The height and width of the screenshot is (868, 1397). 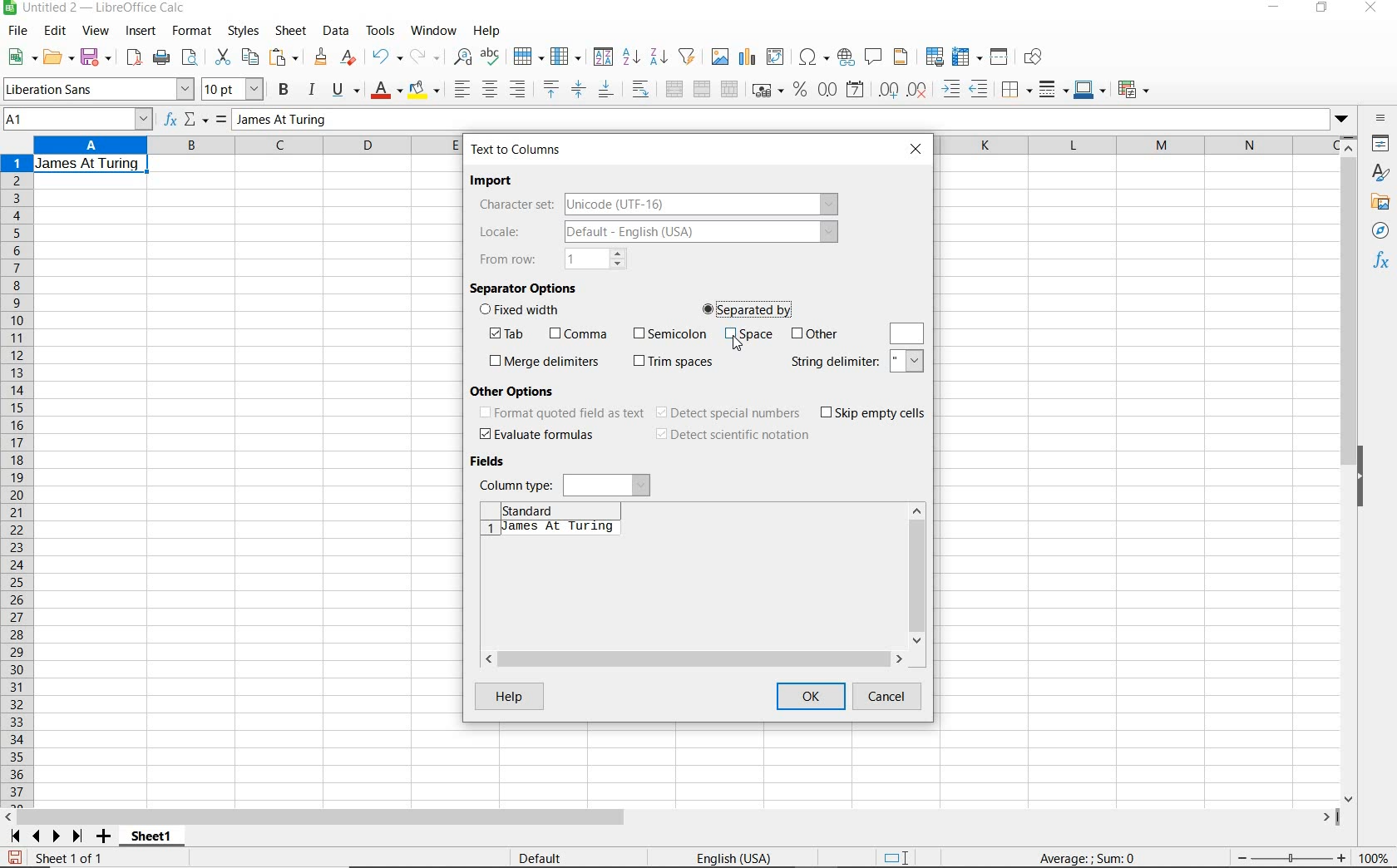 I want to click on zoom factor, so click(x=1375, y=859).